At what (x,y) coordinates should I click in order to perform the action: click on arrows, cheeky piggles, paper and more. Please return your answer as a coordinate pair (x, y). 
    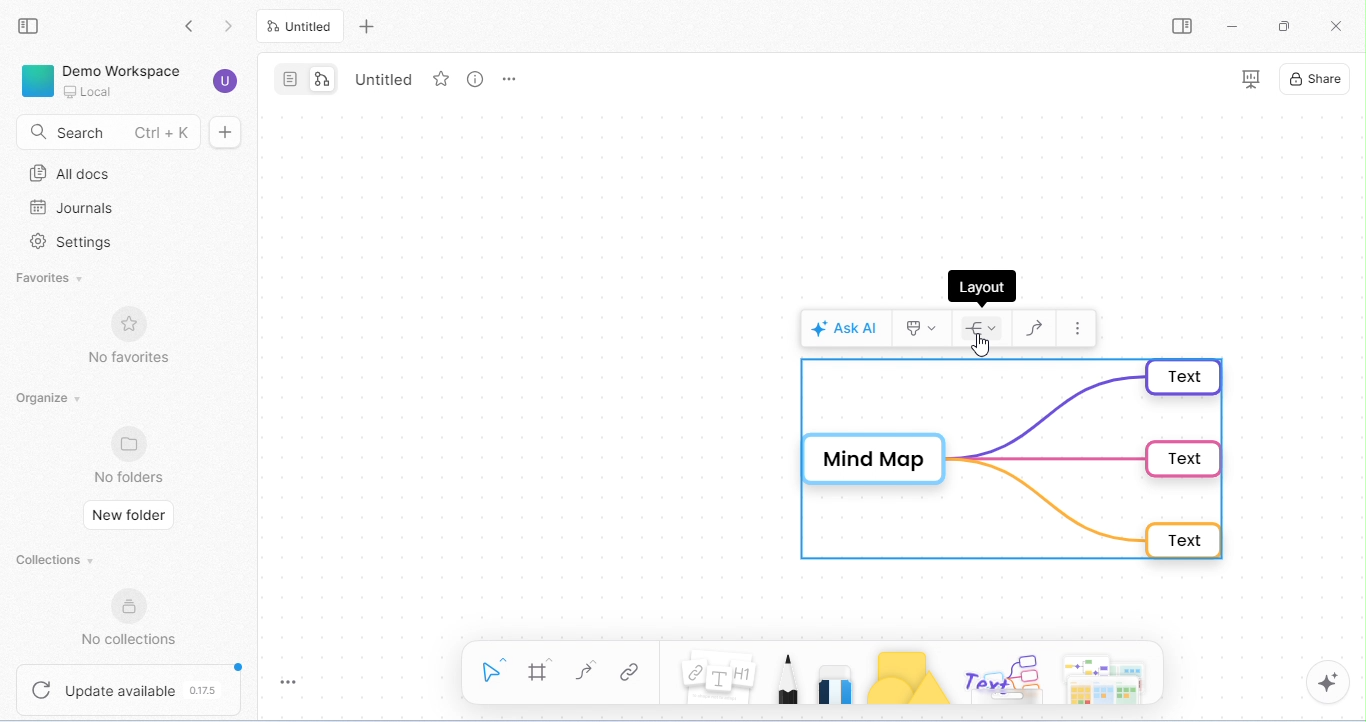
    Looking at the image, I should click on (1101, 677).